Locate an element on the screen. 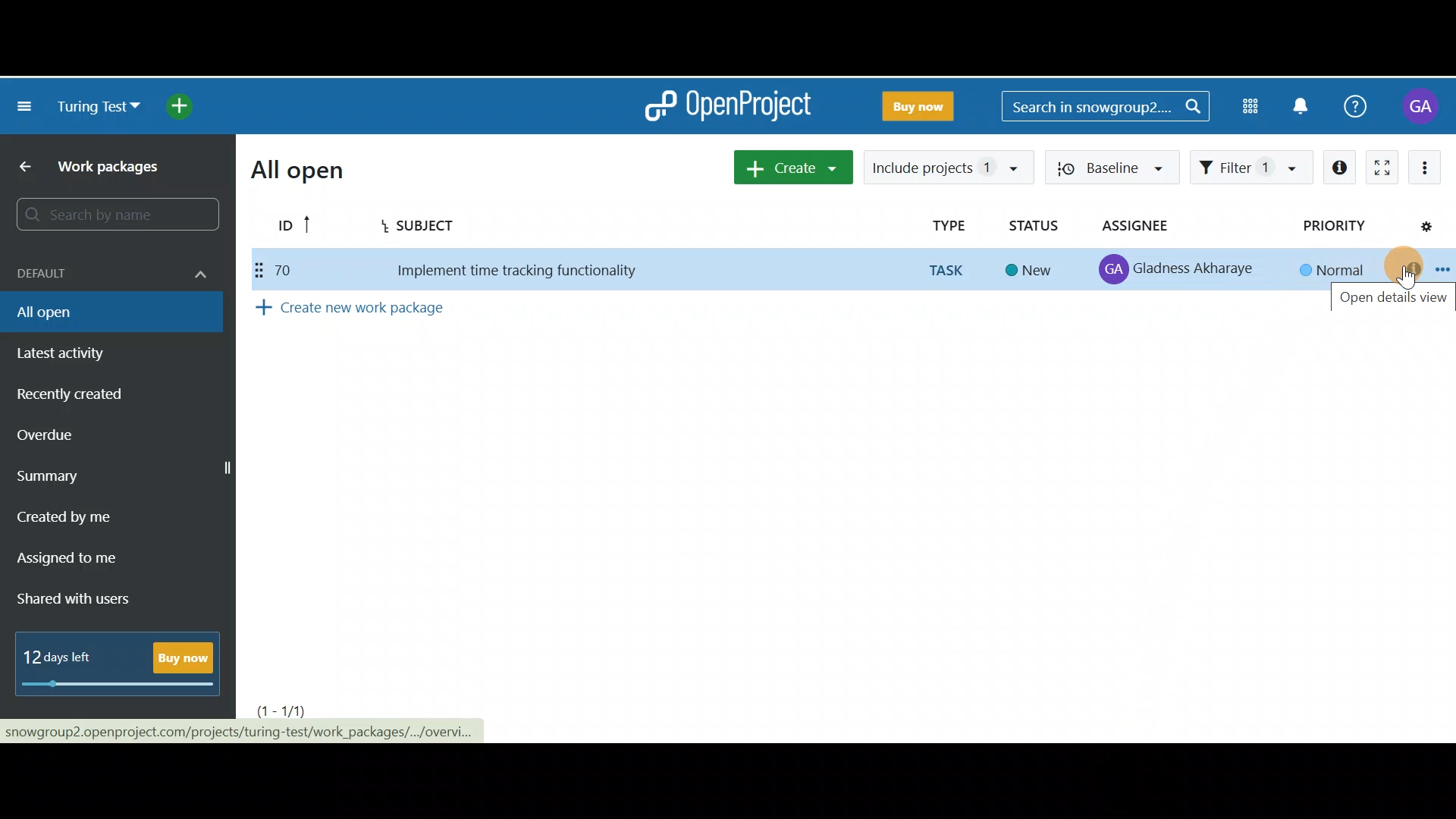 This screenshot has width=1456, height=819. Priority is located at coordinates (1334, 224).